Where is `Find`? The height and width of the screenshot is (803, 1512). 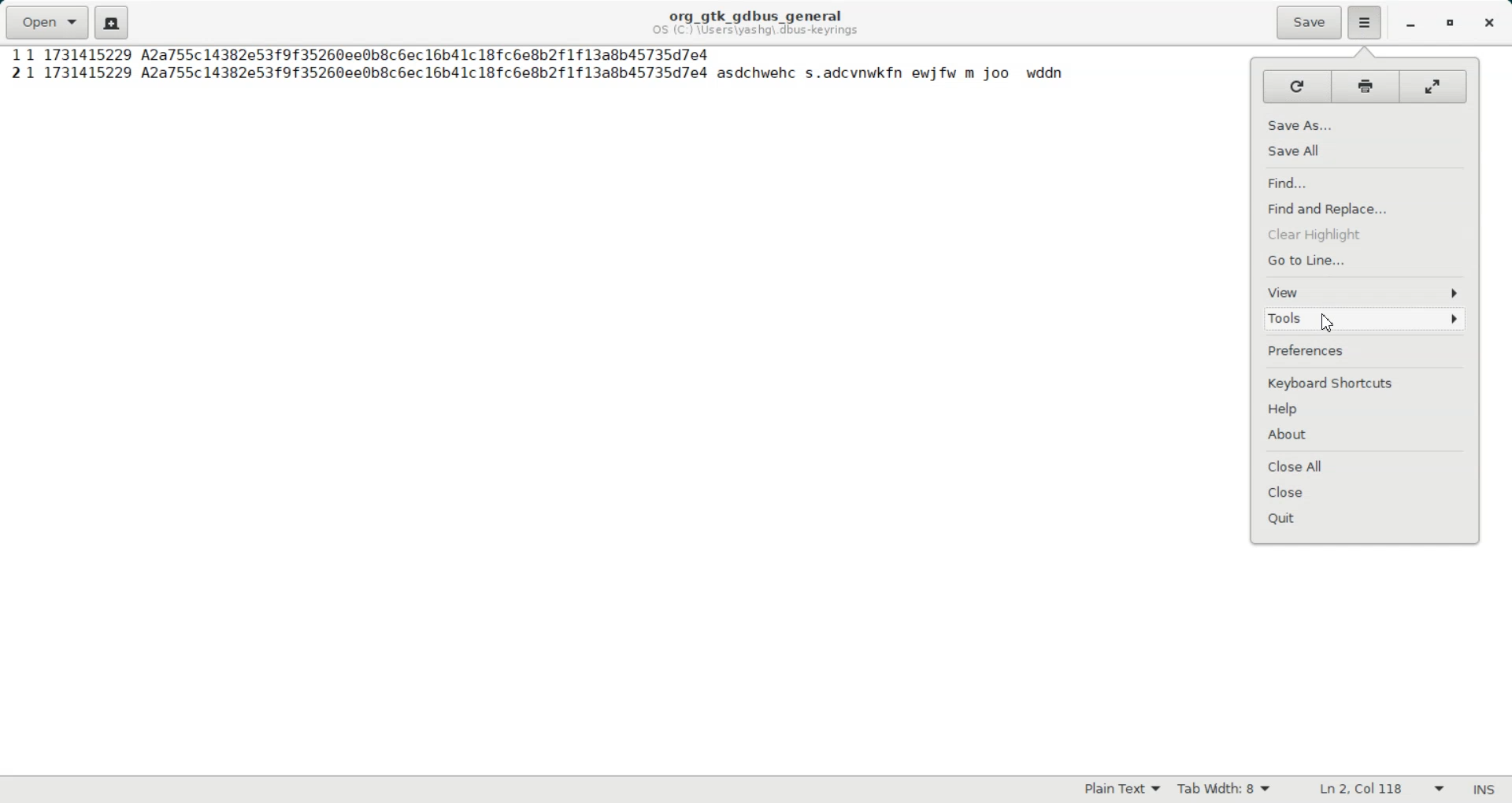
Find is located at coordinates (1364, 182).